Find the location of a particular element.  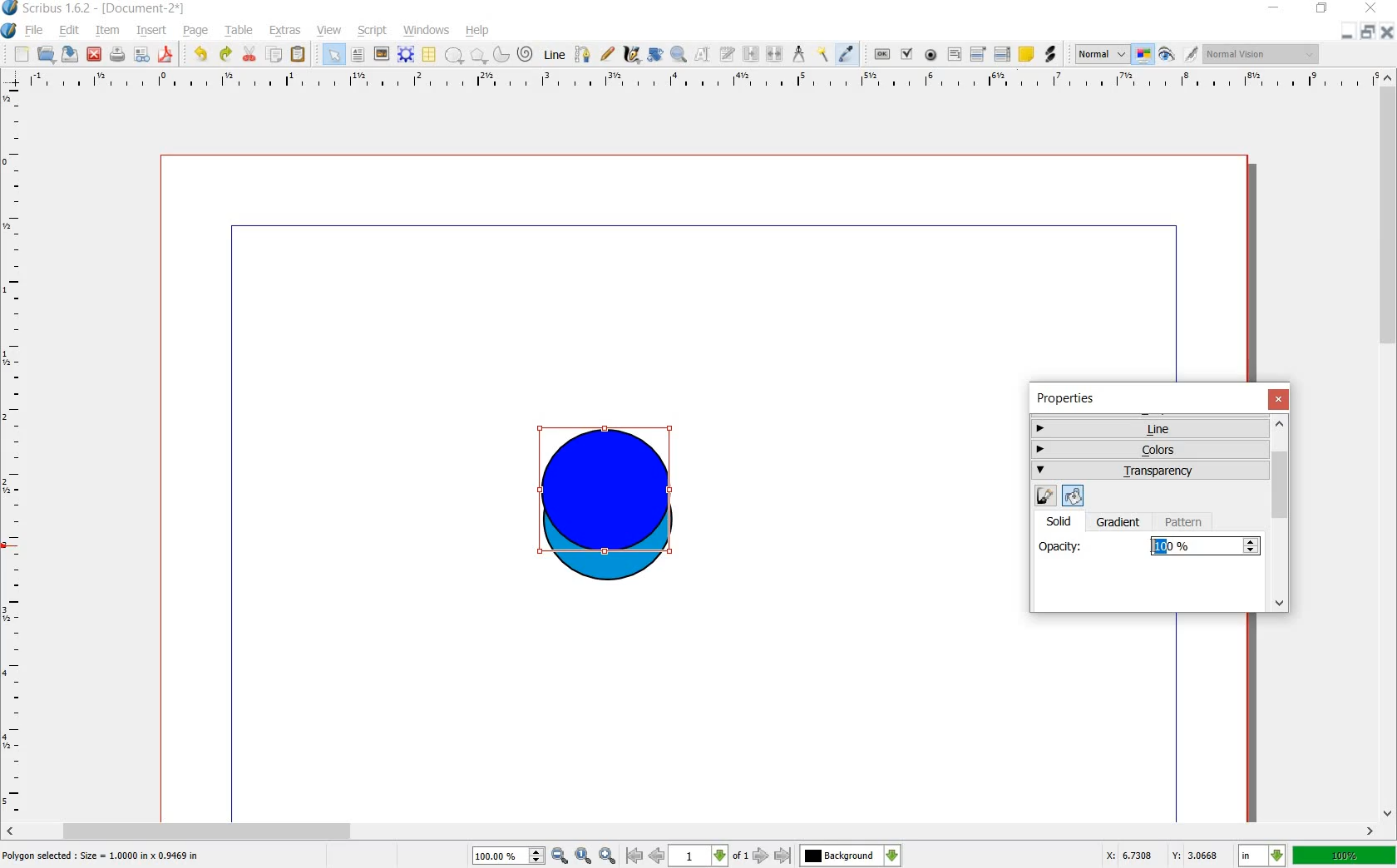

Increase or decrease opacity is located at coordinates (1251, 547).